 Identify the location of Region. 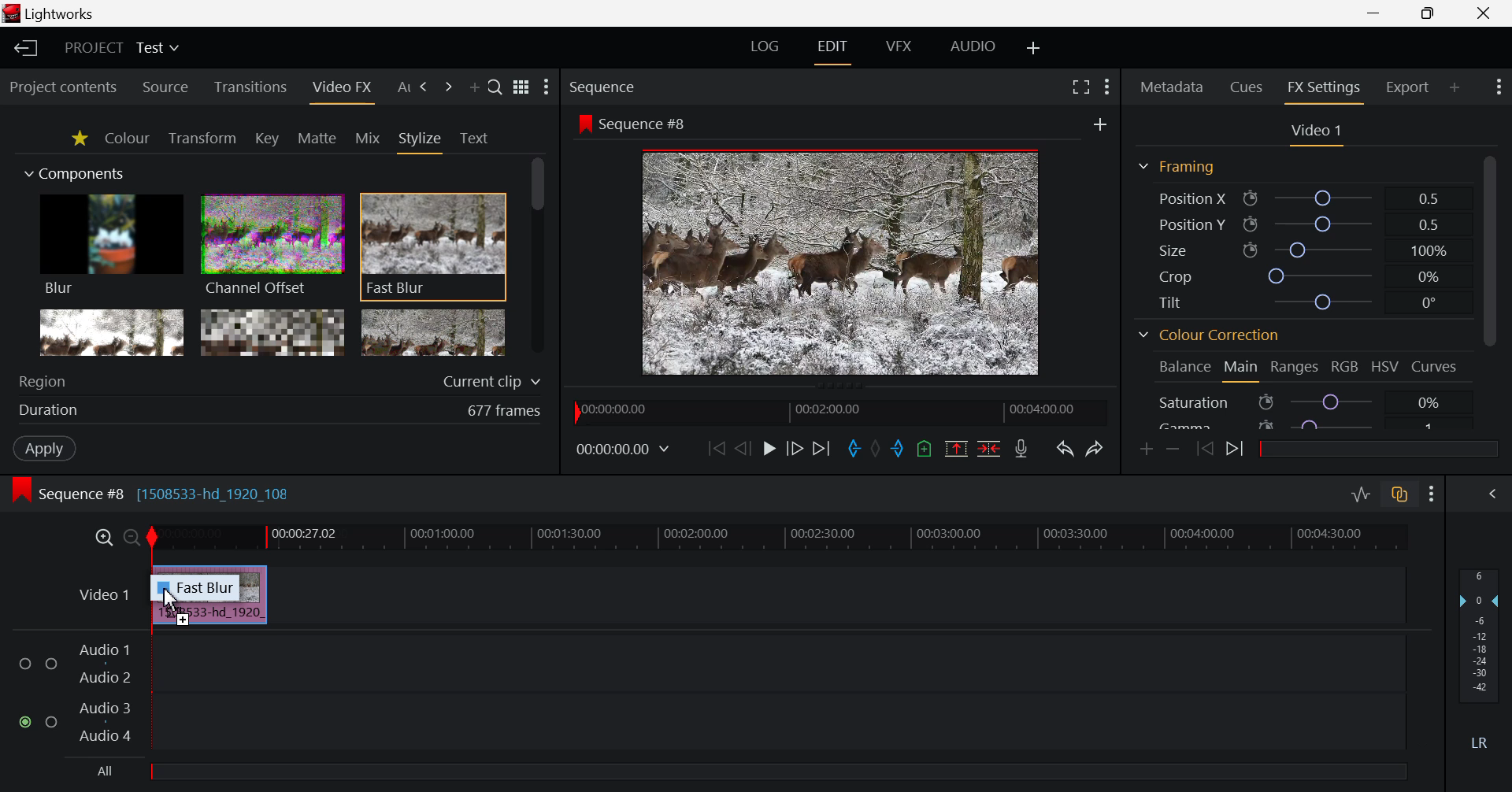
(282, 378).